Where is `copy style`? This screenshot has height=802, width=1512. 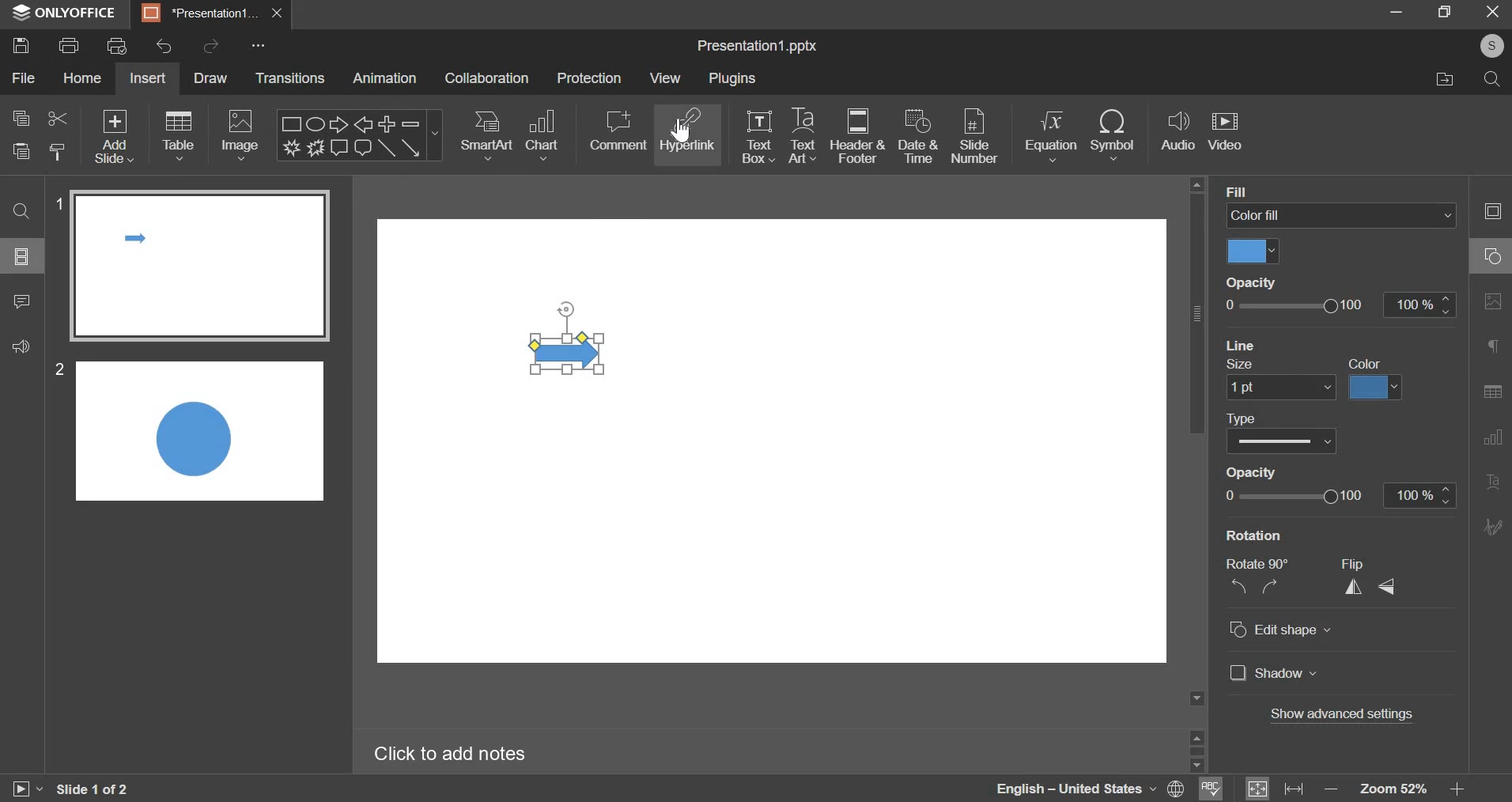
copy style is located at coordinates (58, 151).